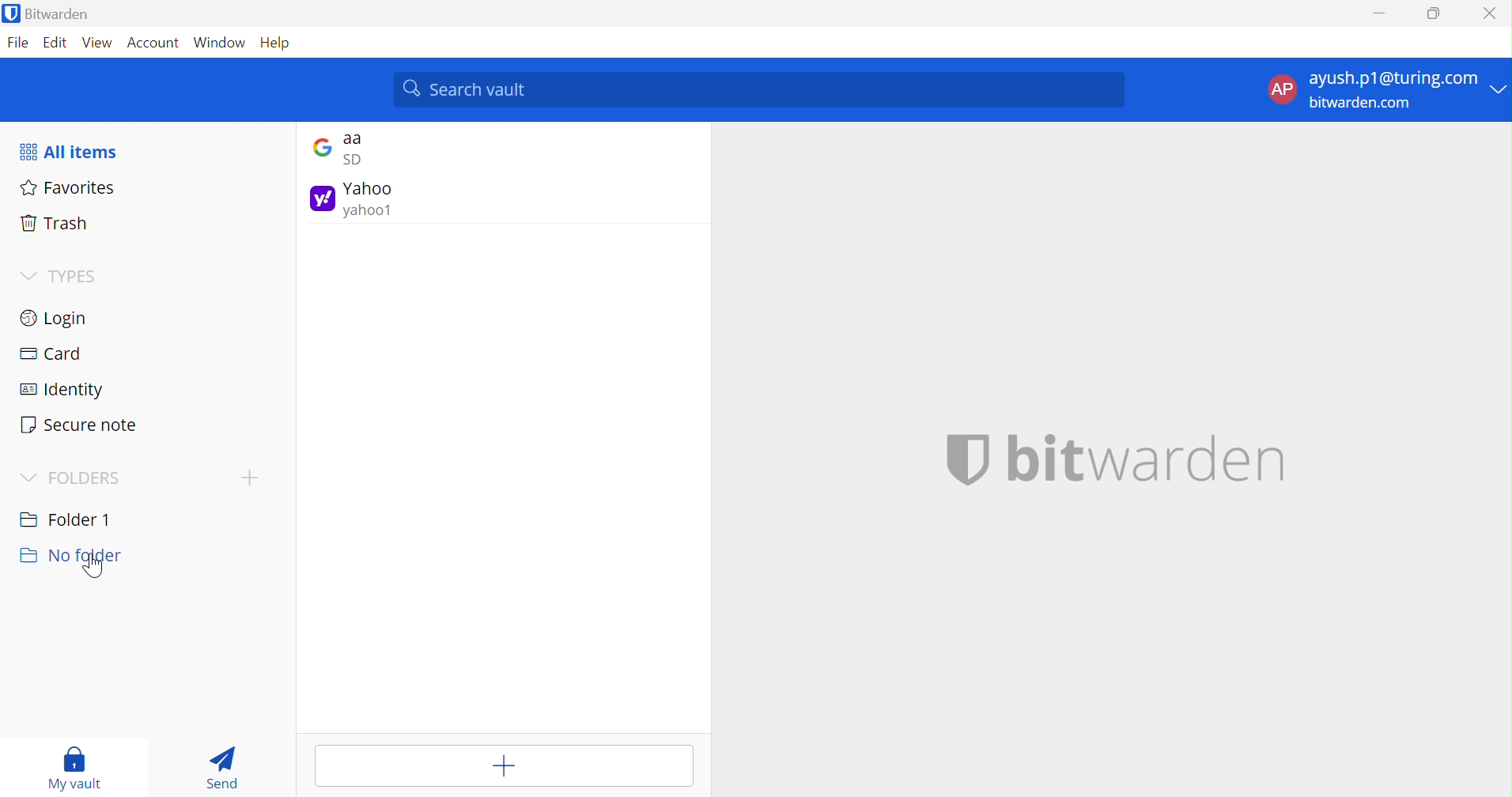 The width and height of the screenshot is (1512, 797). Describe the element at coordinates (1493, 14) in the screenshot. I see `Close` at that location.